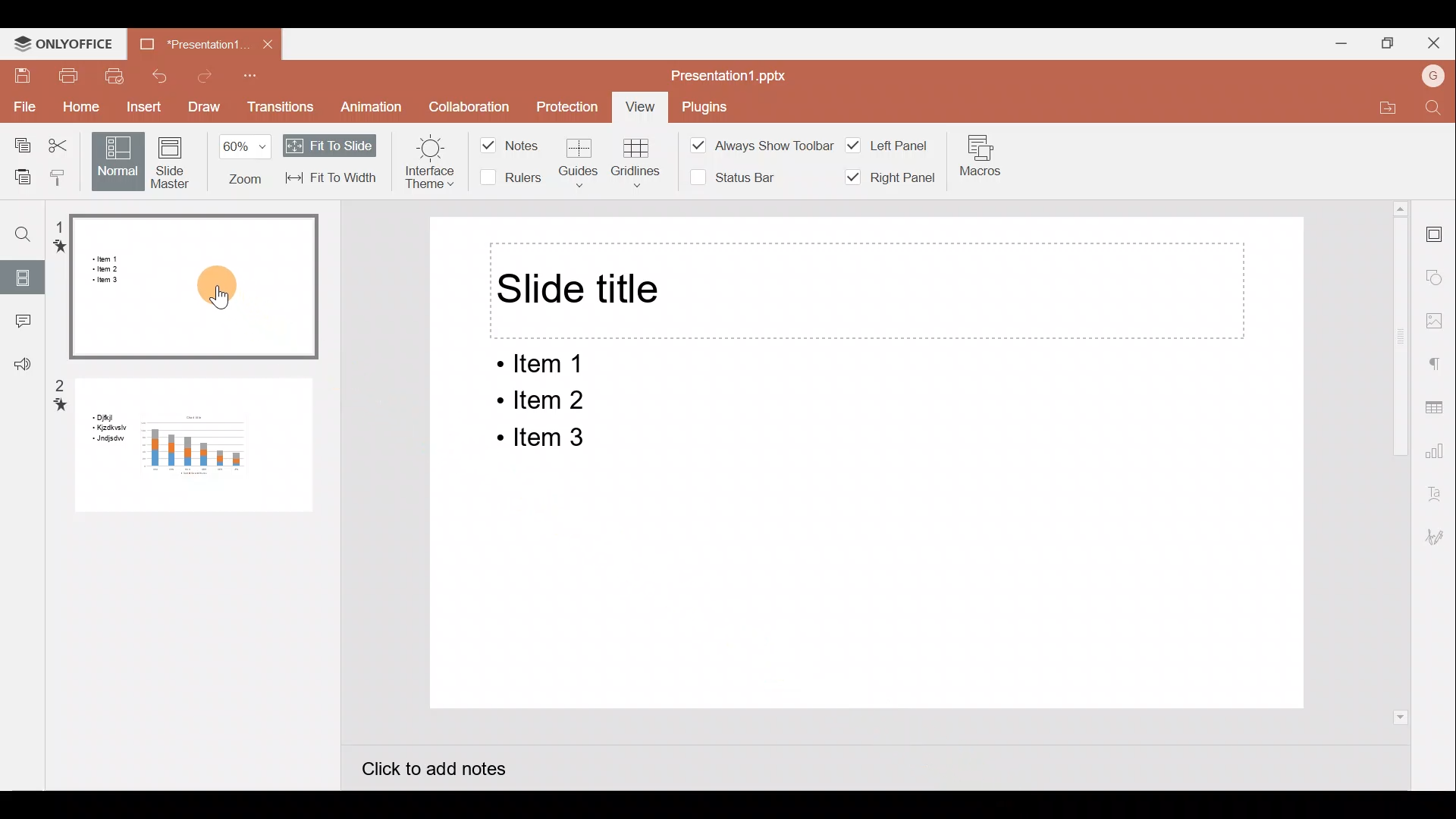  What do you see at coordinates (1439, 407) in the screenshot?
I see `Table settings` at bounding box center [1439, 407].